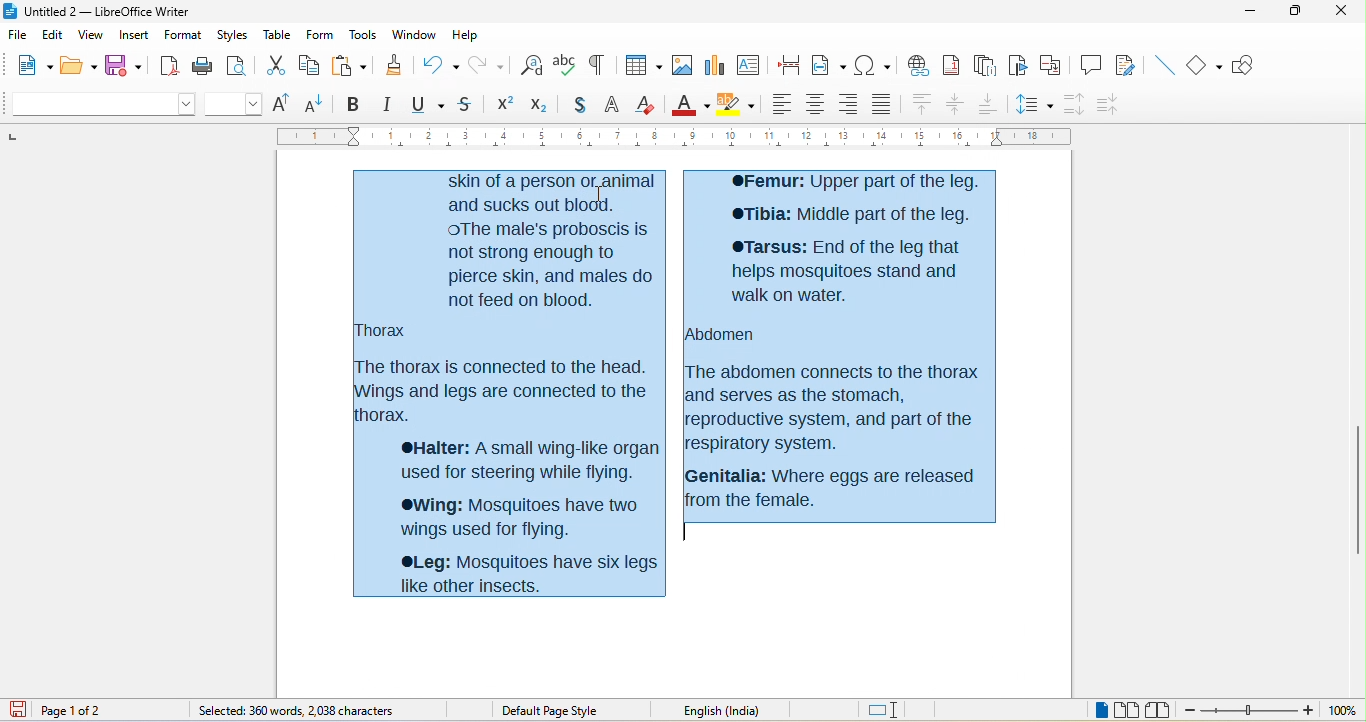 This screenshot has height=722, width=1366. I want to click on bold, so click(353, 103).